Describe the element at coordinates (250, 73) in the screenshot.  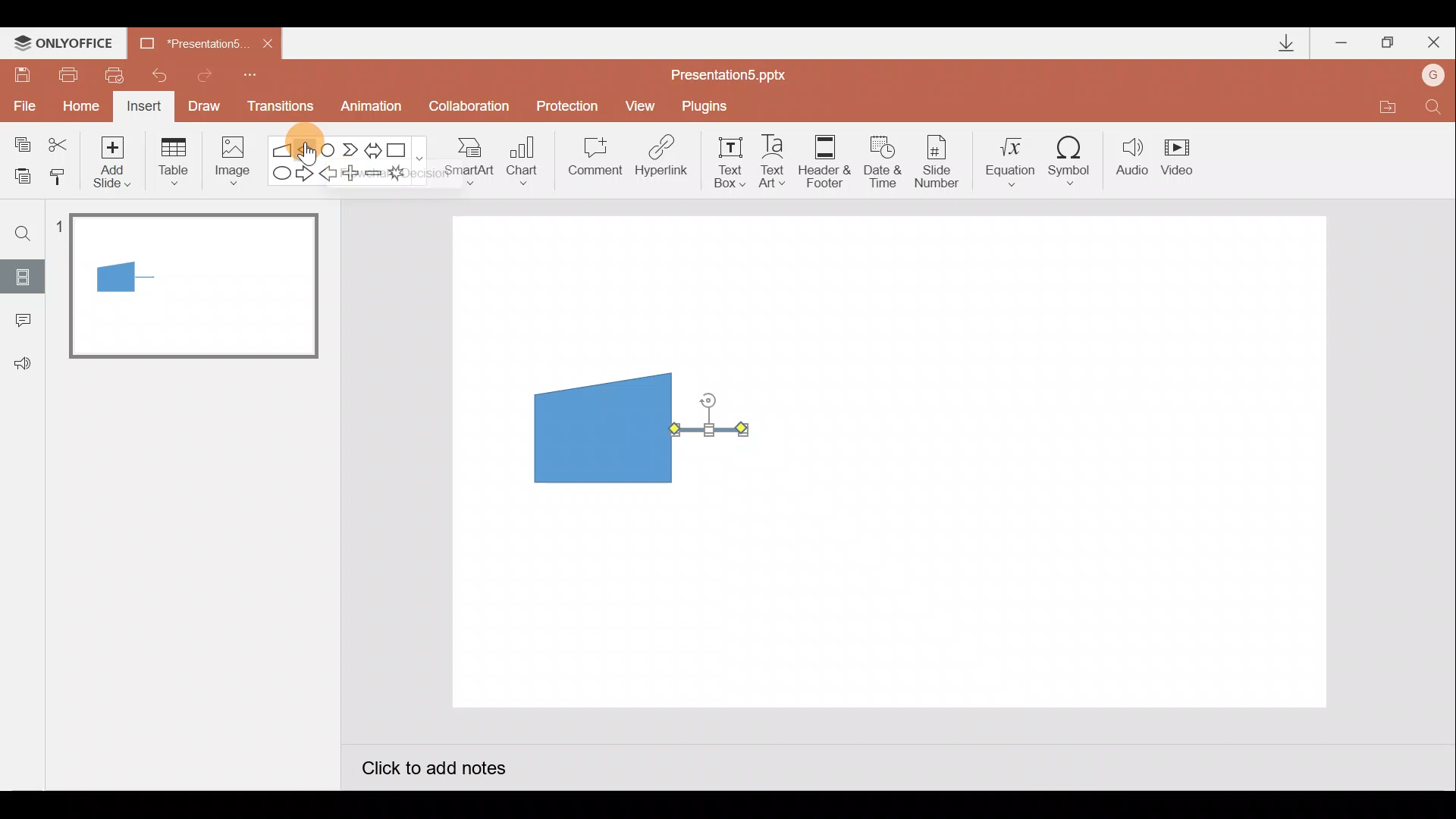
I see `Customize quick access toolbar` at that location.